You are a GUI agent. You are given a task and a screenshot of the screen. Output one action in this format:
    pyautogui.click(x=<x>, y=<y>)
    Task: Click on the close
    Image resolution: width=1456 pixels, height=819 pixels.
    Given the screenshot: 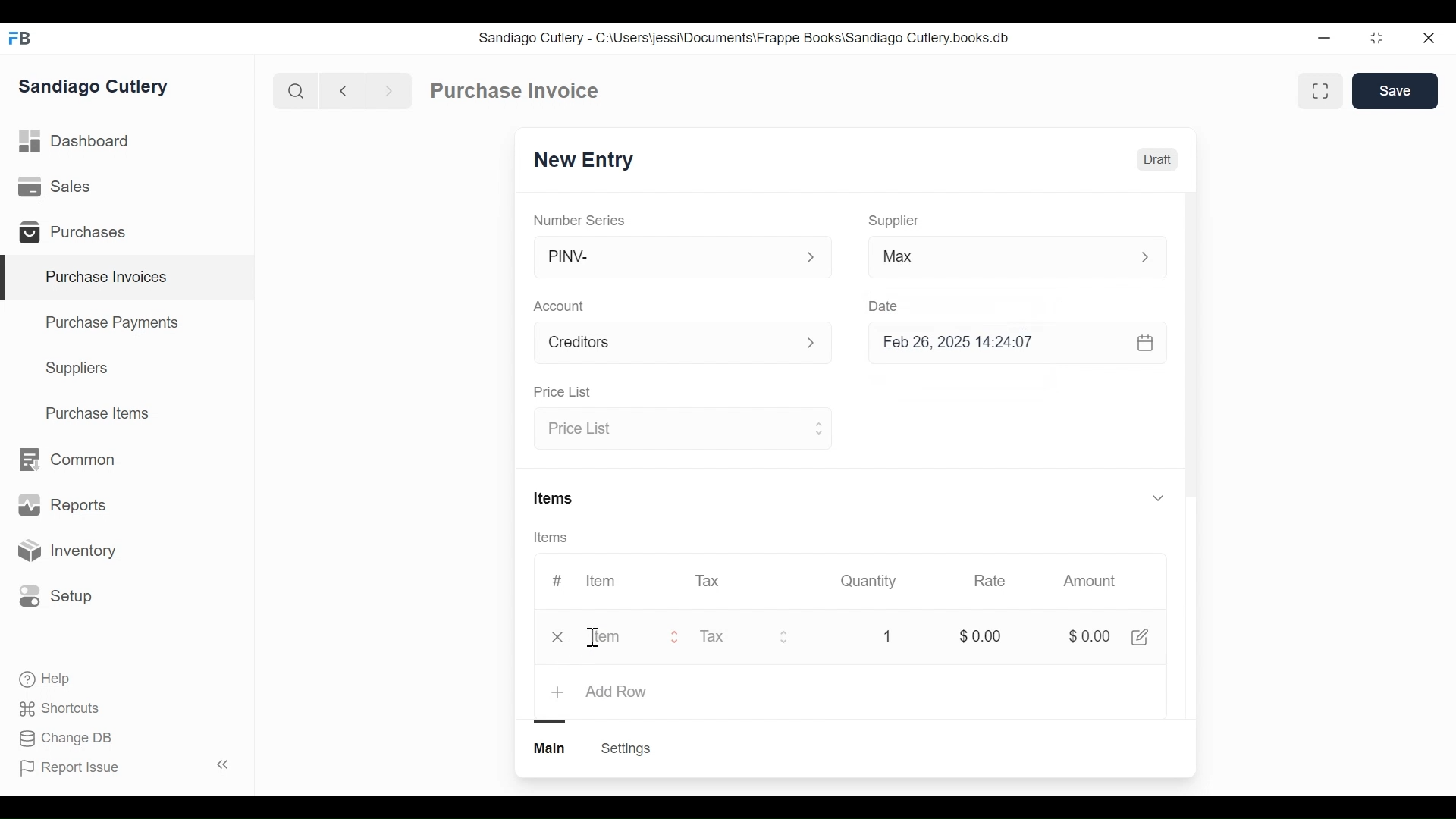 What is the action you would take?
    pyautogui.click(x=1427, y=39)
    